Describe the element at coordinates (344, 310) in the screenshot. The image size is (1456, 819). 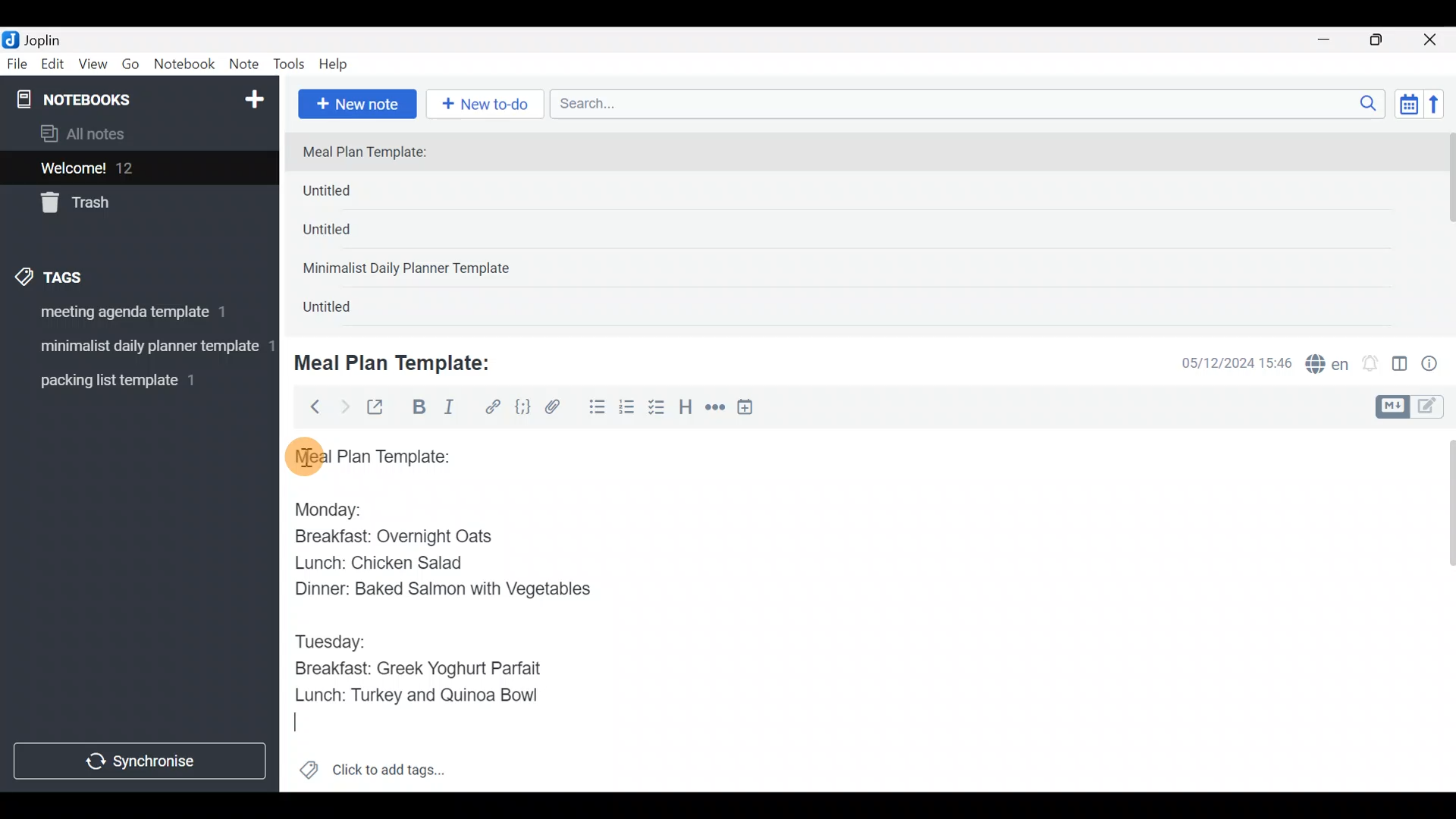
I see `Untitled` at that location.